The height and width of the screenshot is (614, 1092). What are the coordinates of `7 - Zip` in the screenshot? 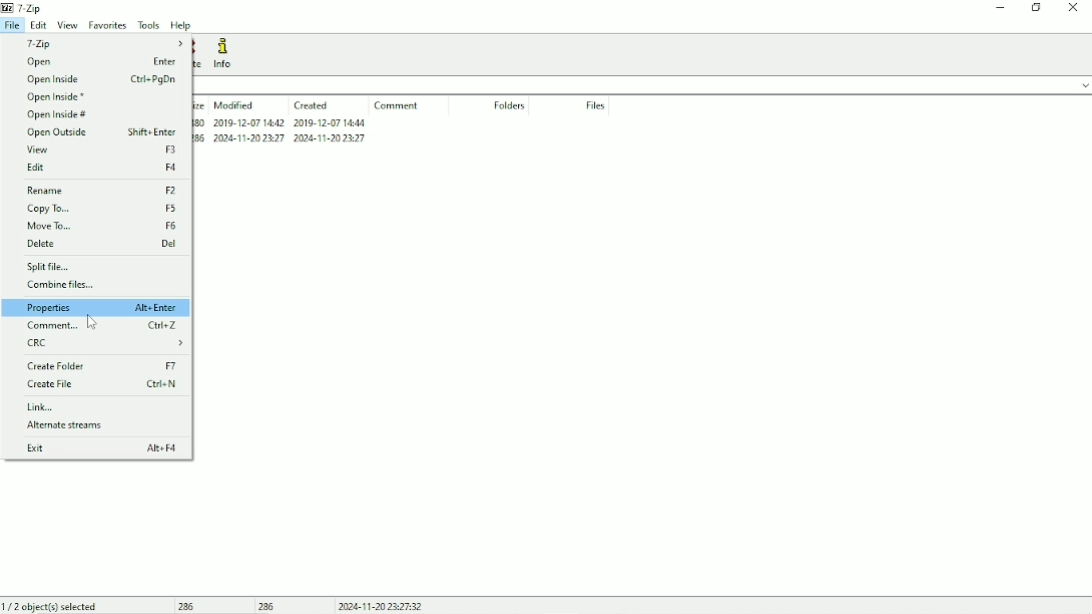 It's located at (32, 8).